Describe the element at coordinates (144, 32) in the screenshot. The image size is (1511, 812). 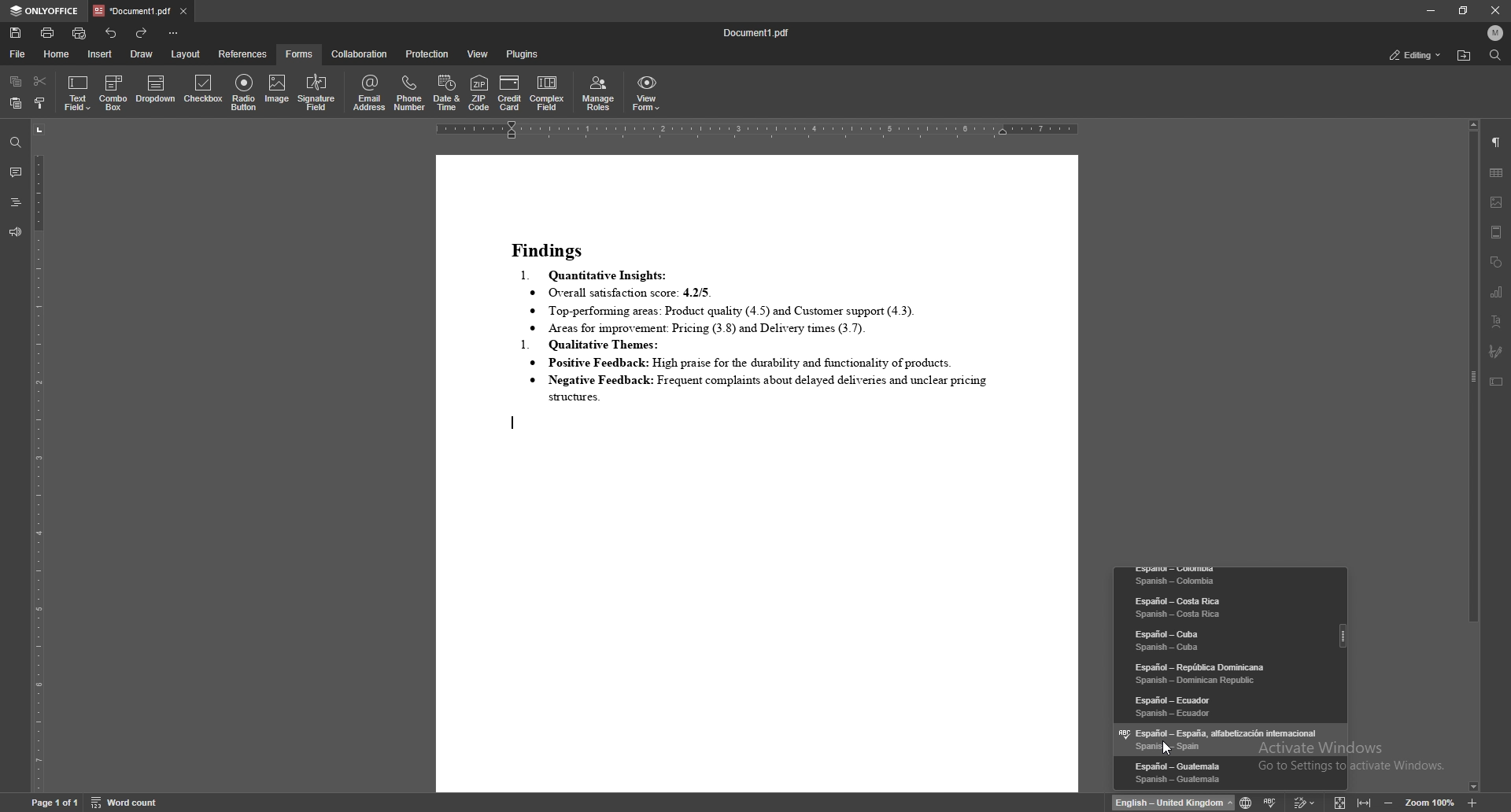
I see `redo` at that location.